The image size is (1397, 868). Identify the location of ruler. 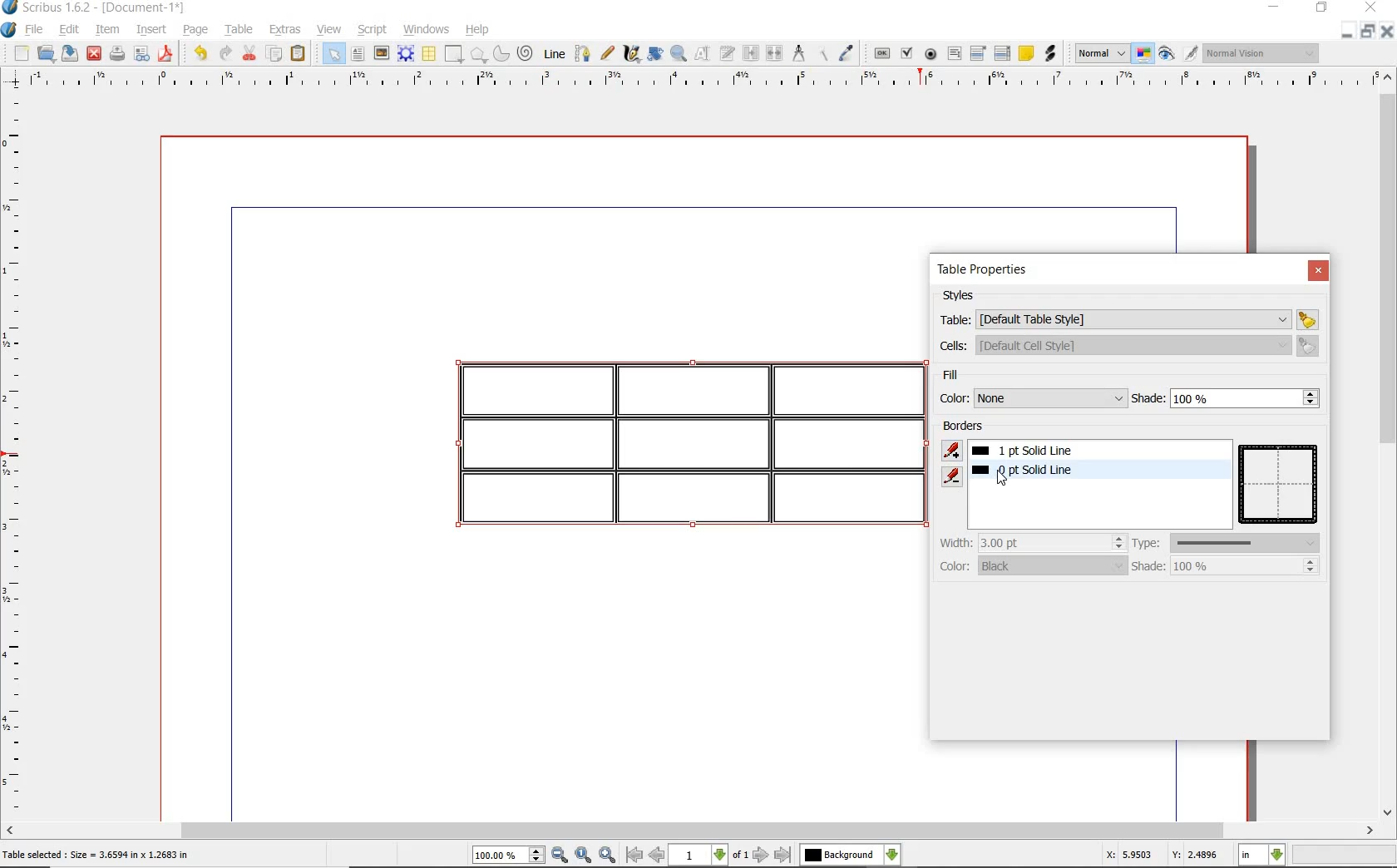
(693, 81).